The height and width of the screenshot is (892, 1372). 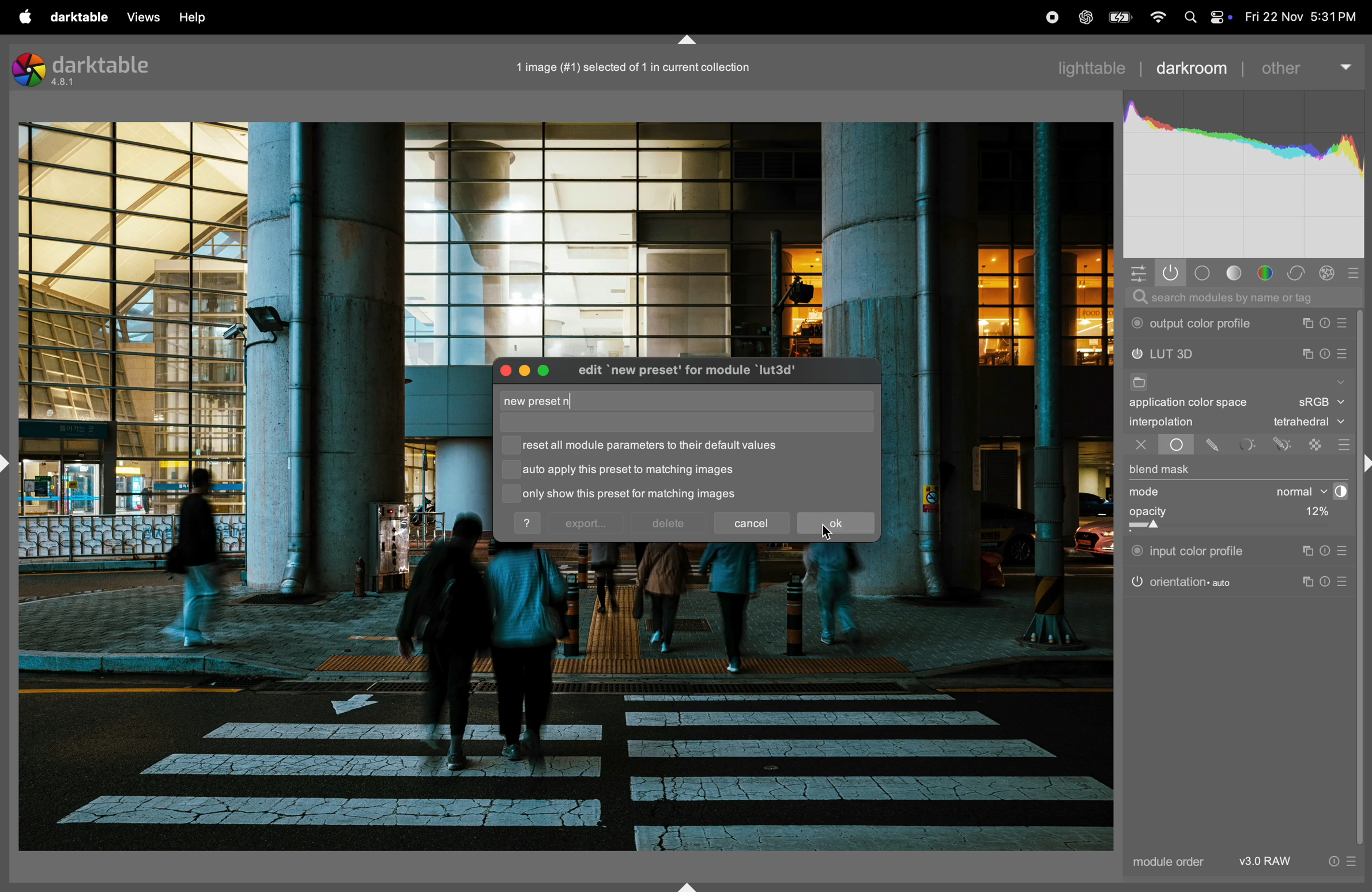 I want to click on quick access panel, so click(x=1136, y=271).